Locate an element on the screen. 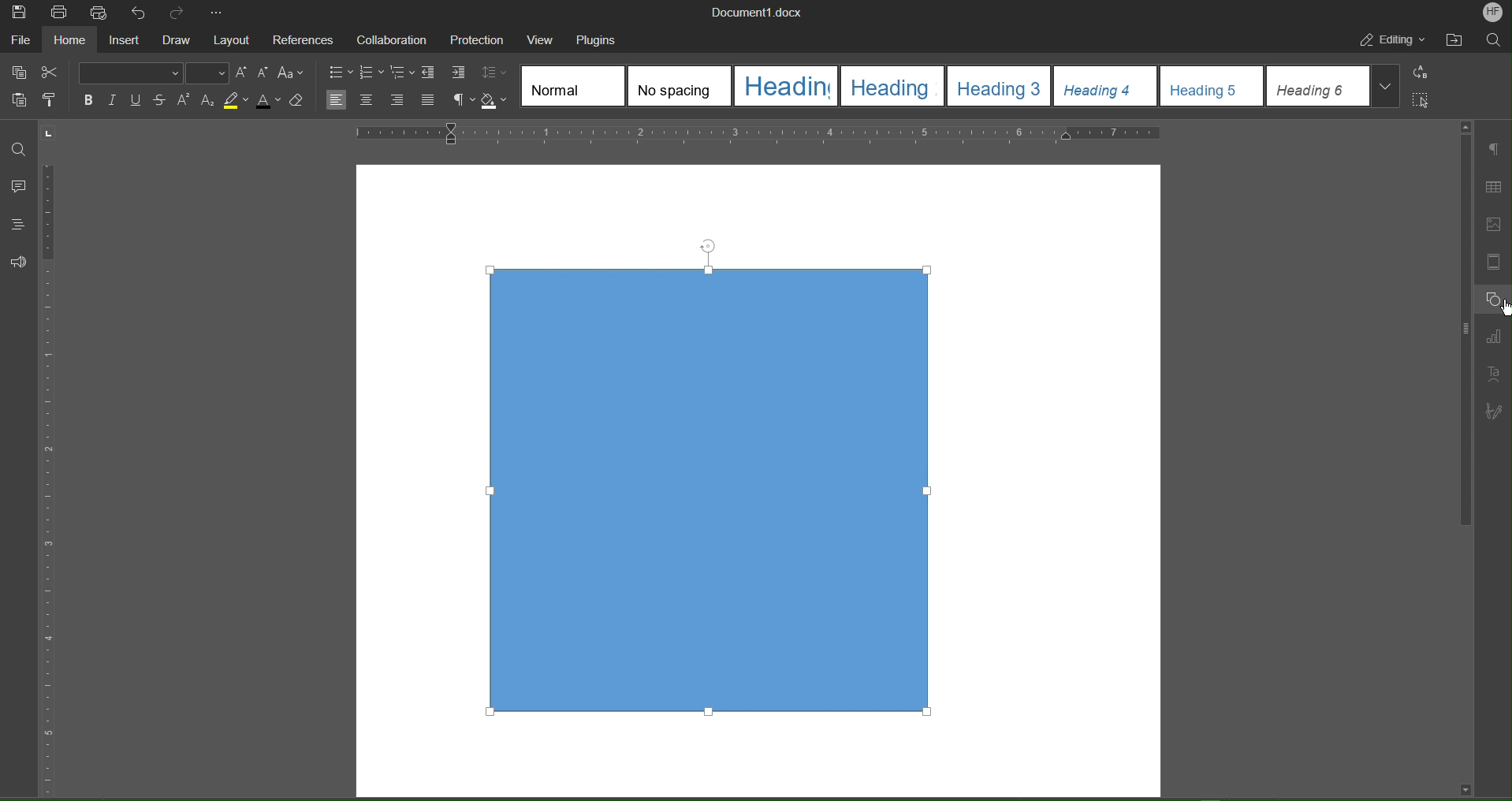 The image size is (1512, 801). Vertical ruler is located at coordinates (60, 463).